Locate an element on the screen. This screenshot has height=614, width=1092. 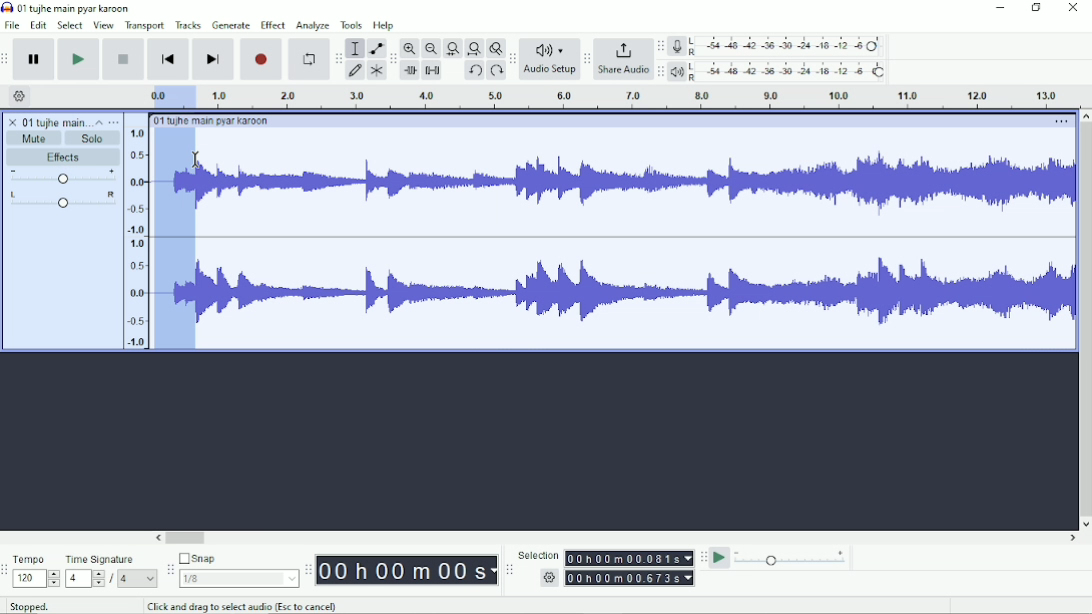
01 tujhe main pyar karoon is located at coordinates (215, 121).